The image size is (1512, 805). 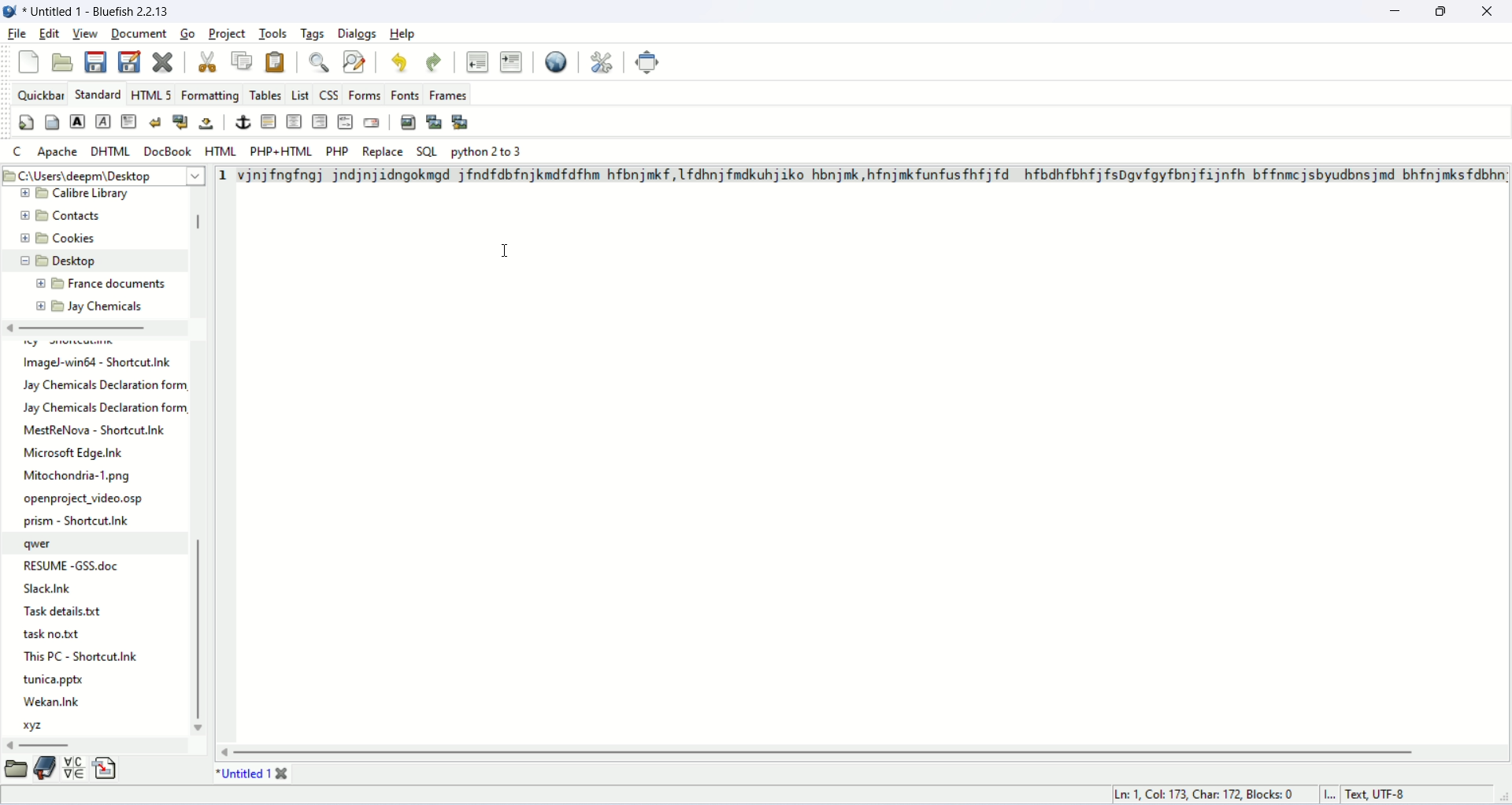 I want to click on Calibre Library, so click(x=94, y=193).